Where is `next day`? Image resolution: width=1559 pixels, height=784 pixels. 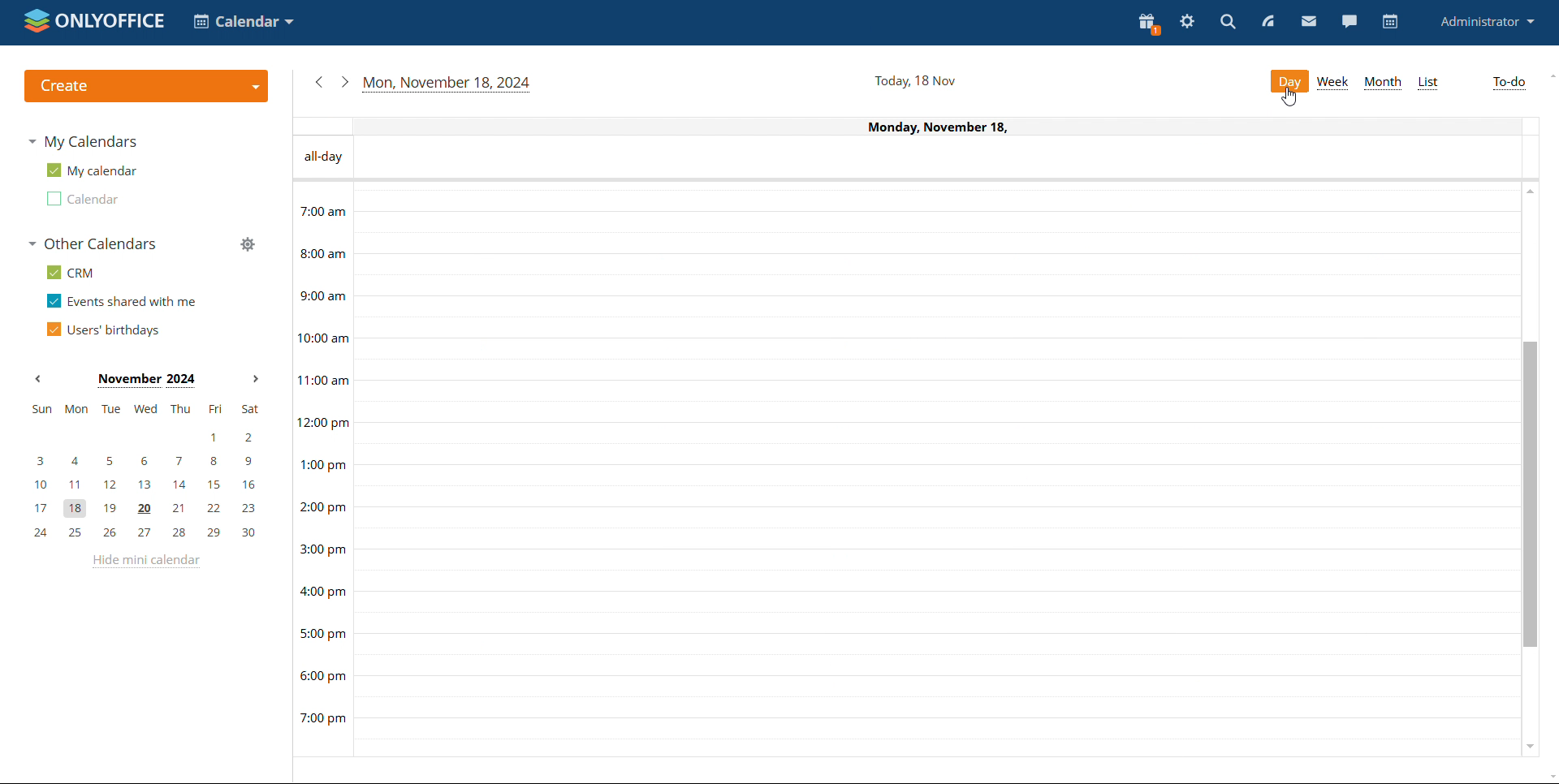
next day is located at coordinates (345, 81).